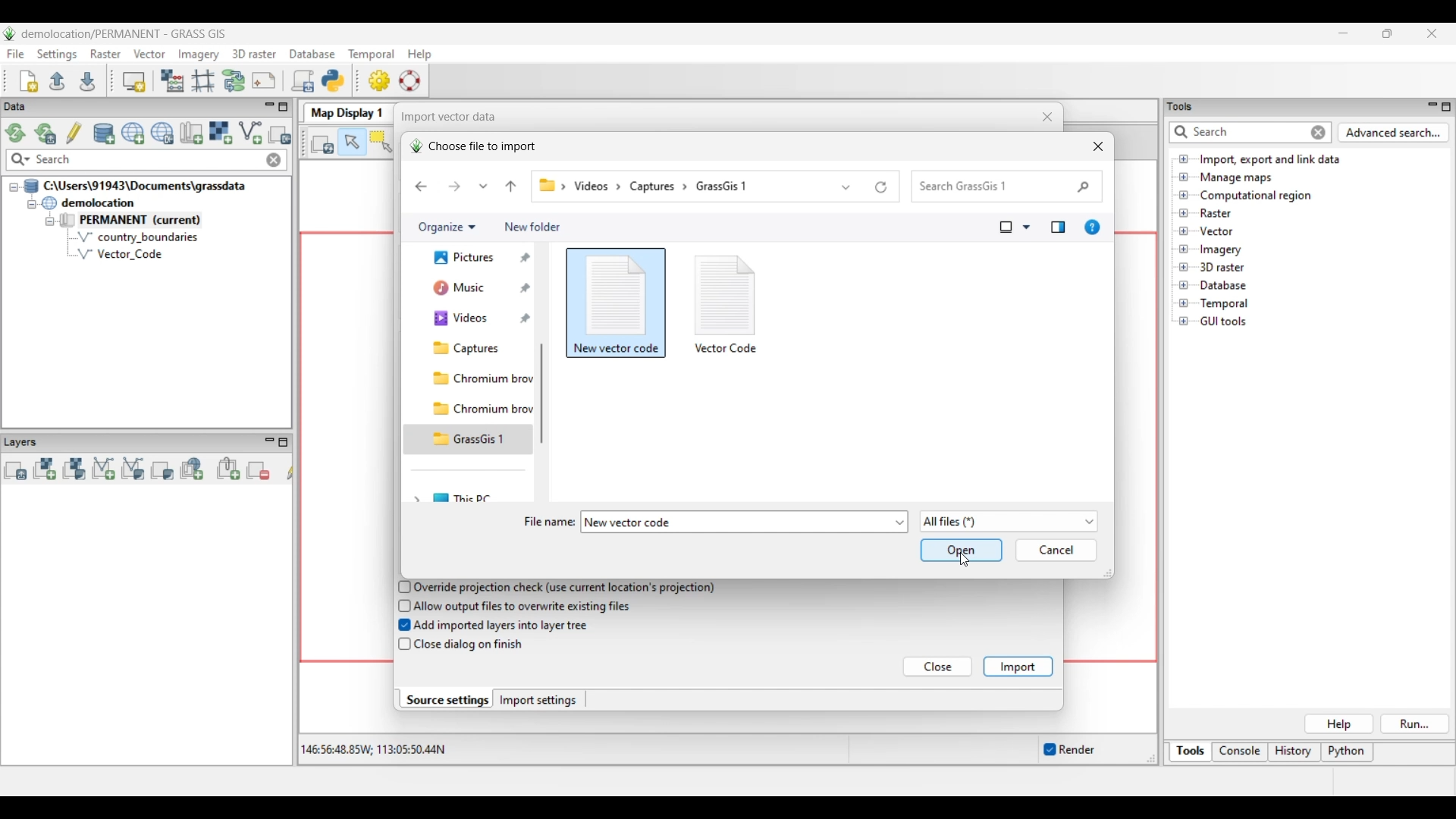 The image size is (1456, 819). What do you see at coordinates (1348, 753) in the screenshot?
I see `Python` at bounding box center [1348, 753].